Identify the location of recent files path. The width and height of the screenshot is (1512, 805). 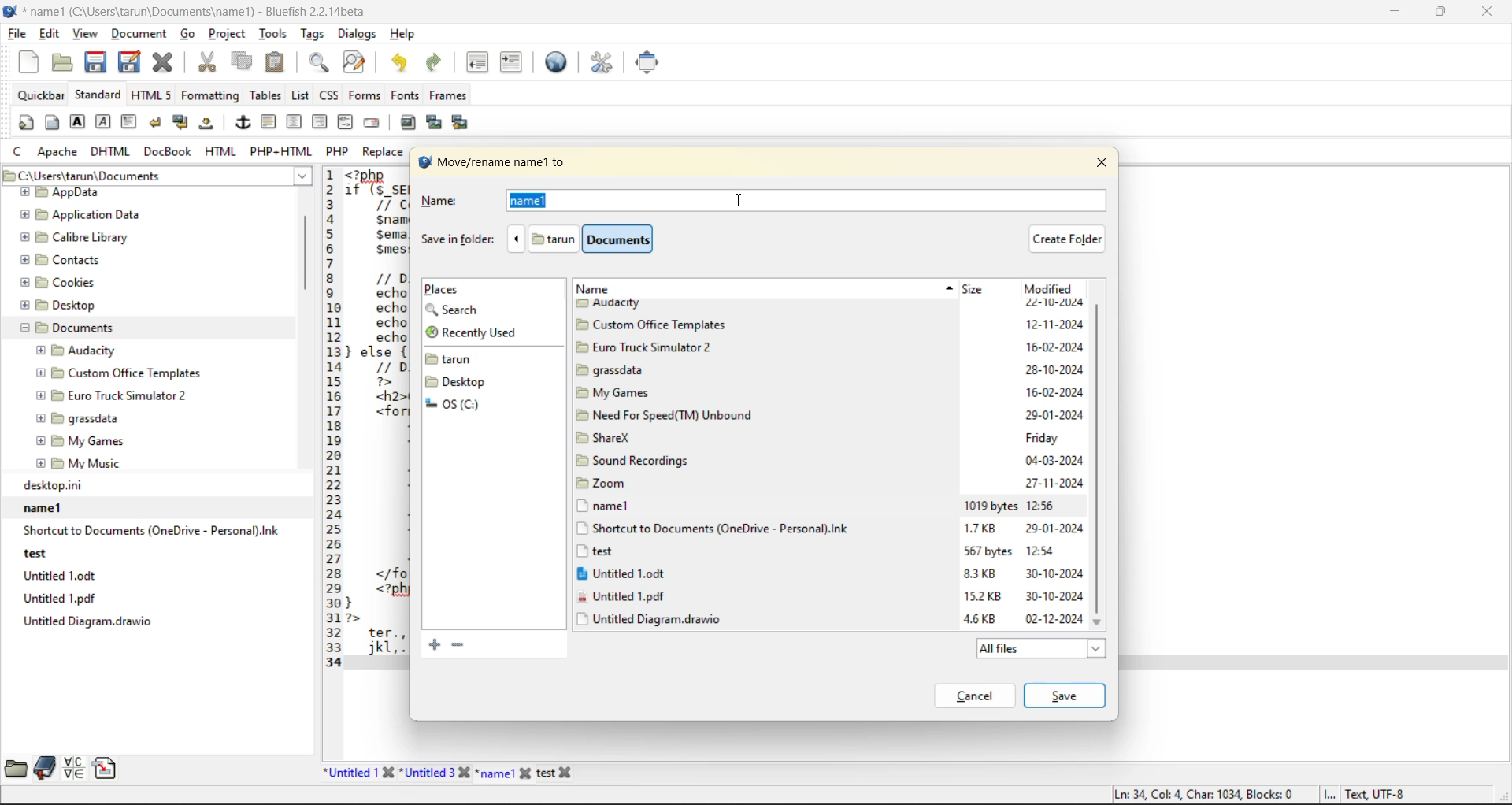
(149, 555).